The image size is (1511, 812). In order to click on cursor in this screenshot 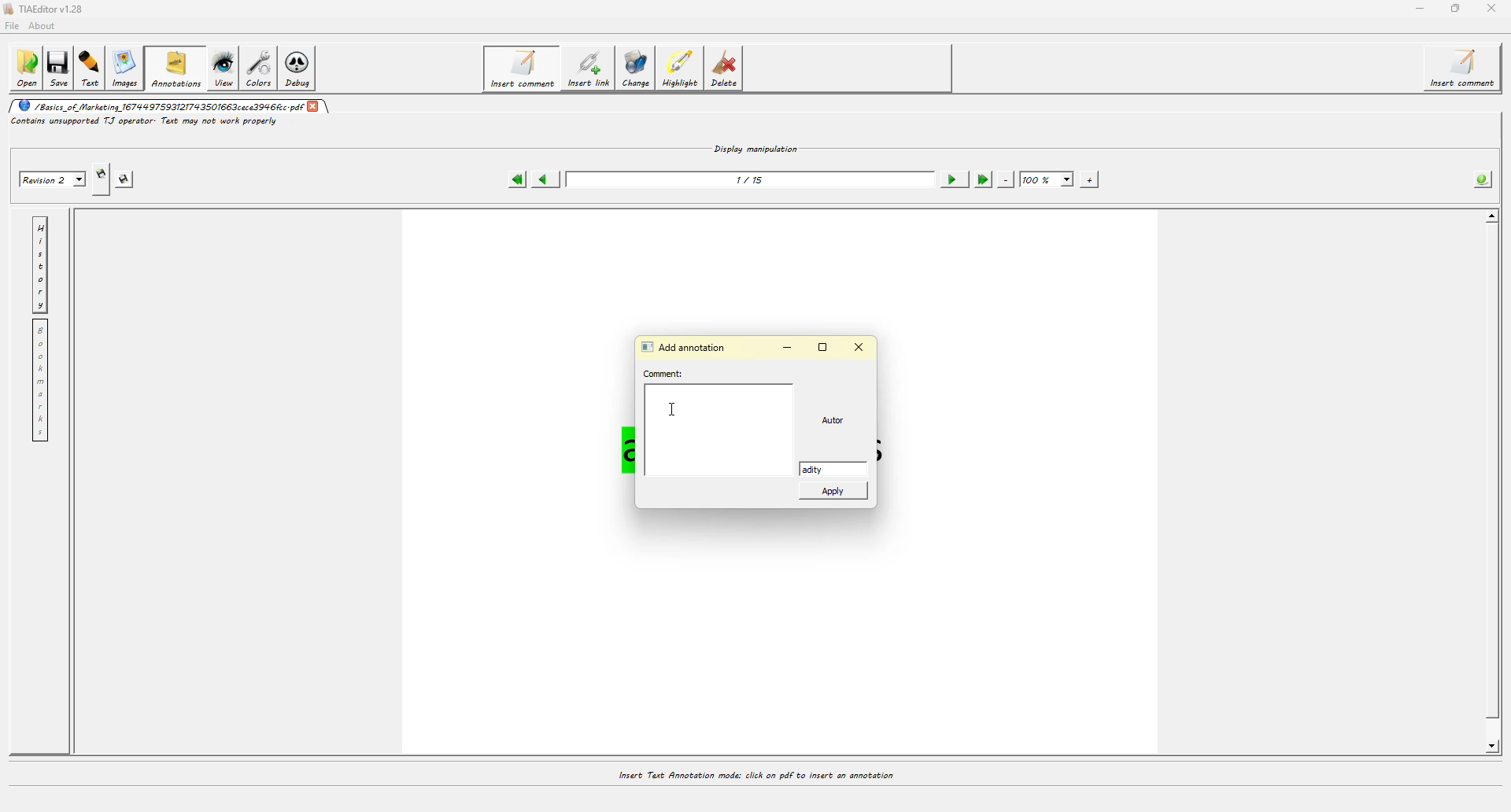, I will do `click(673, 409)`.